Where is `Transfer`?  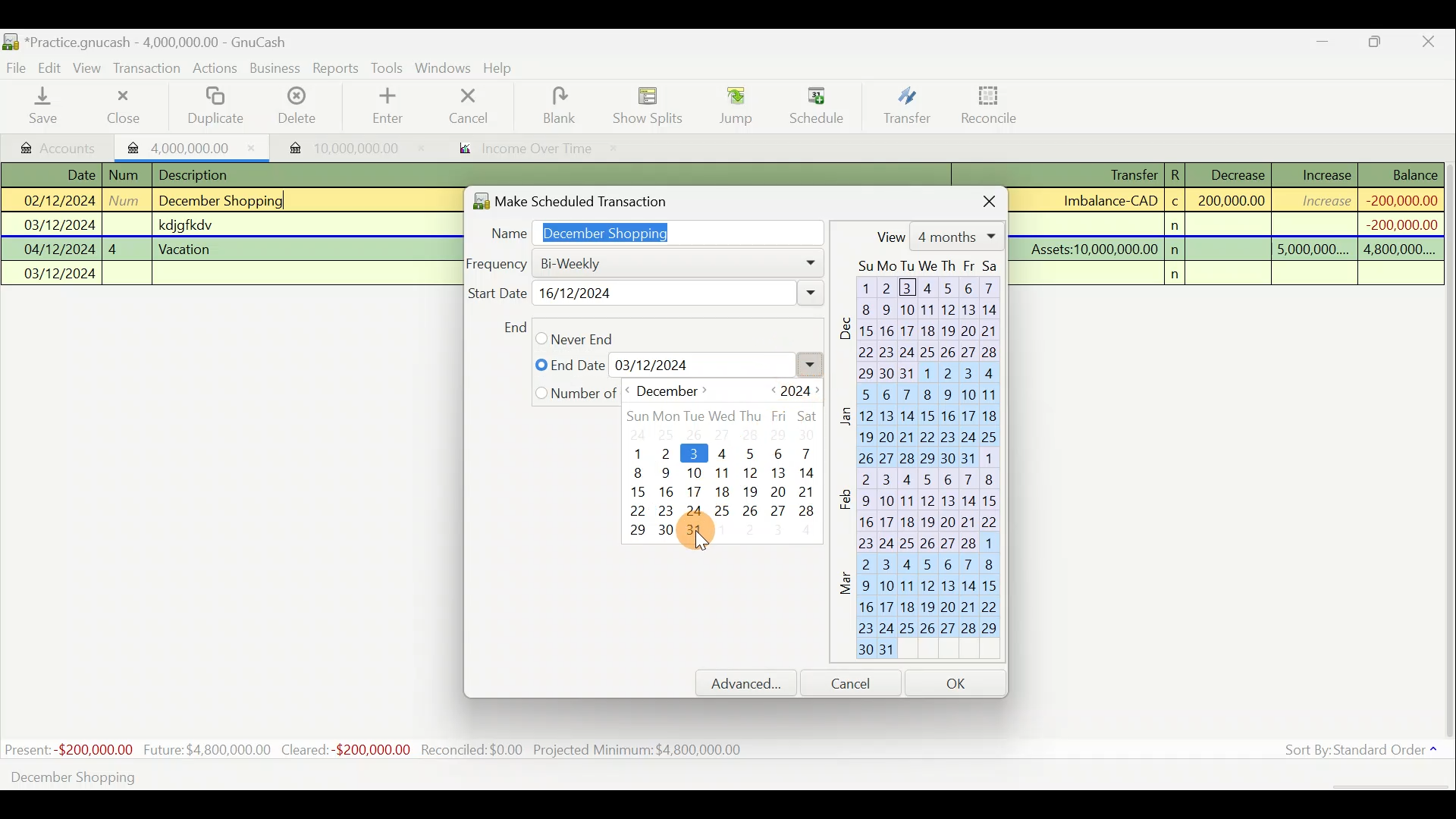 Transfer is located at coordinates (907, 105).